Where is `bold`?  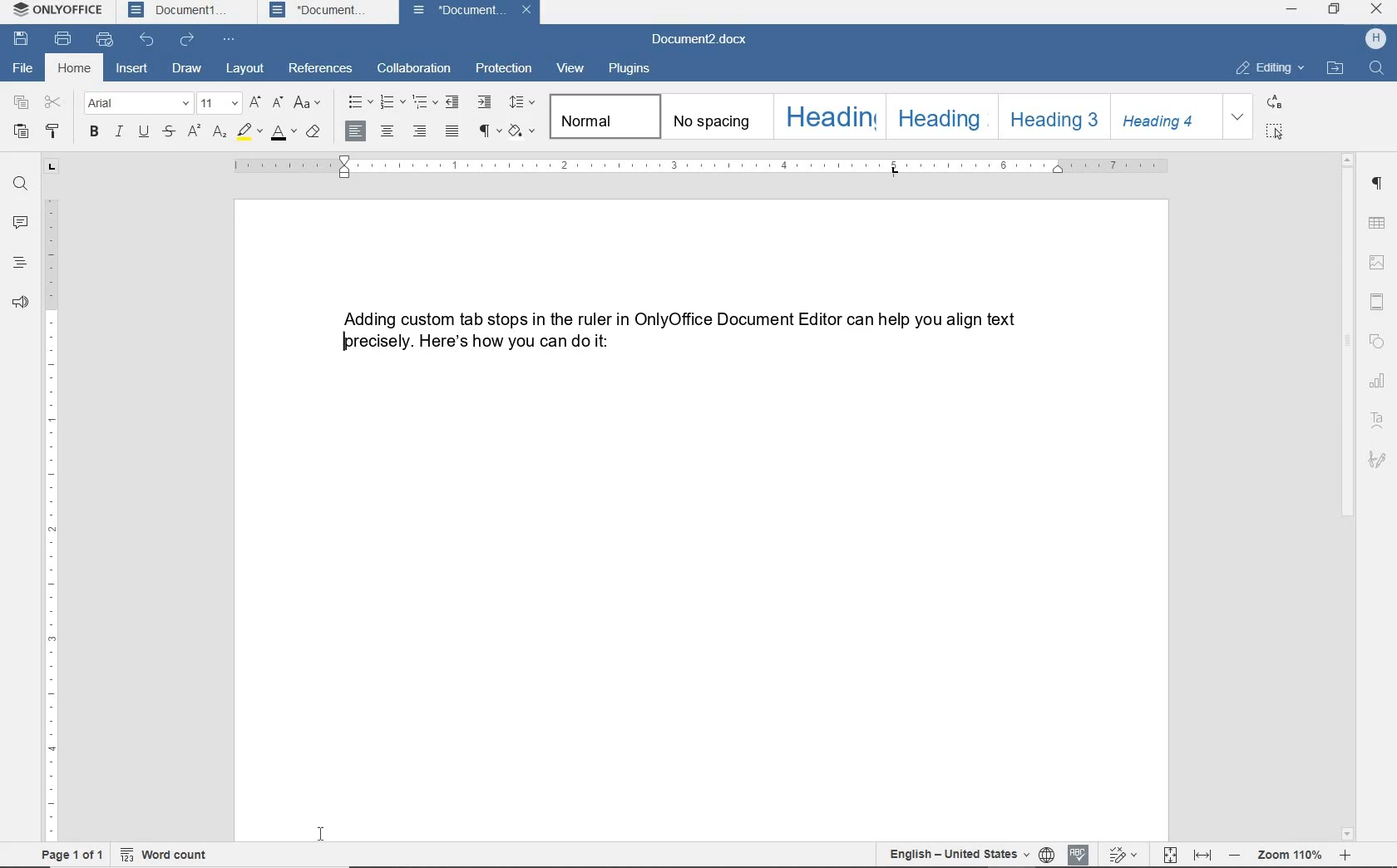 bold is located at coordinates (95, 133).